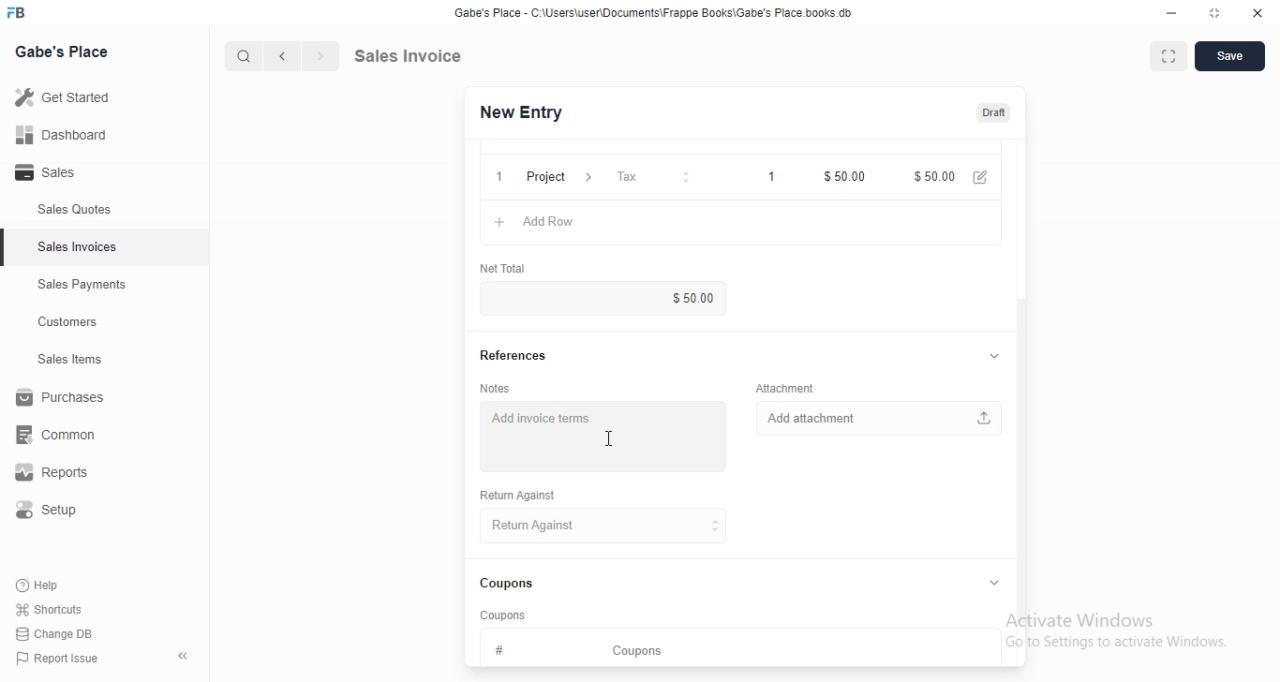  I want to click on Add attachment, so click(879, 420).